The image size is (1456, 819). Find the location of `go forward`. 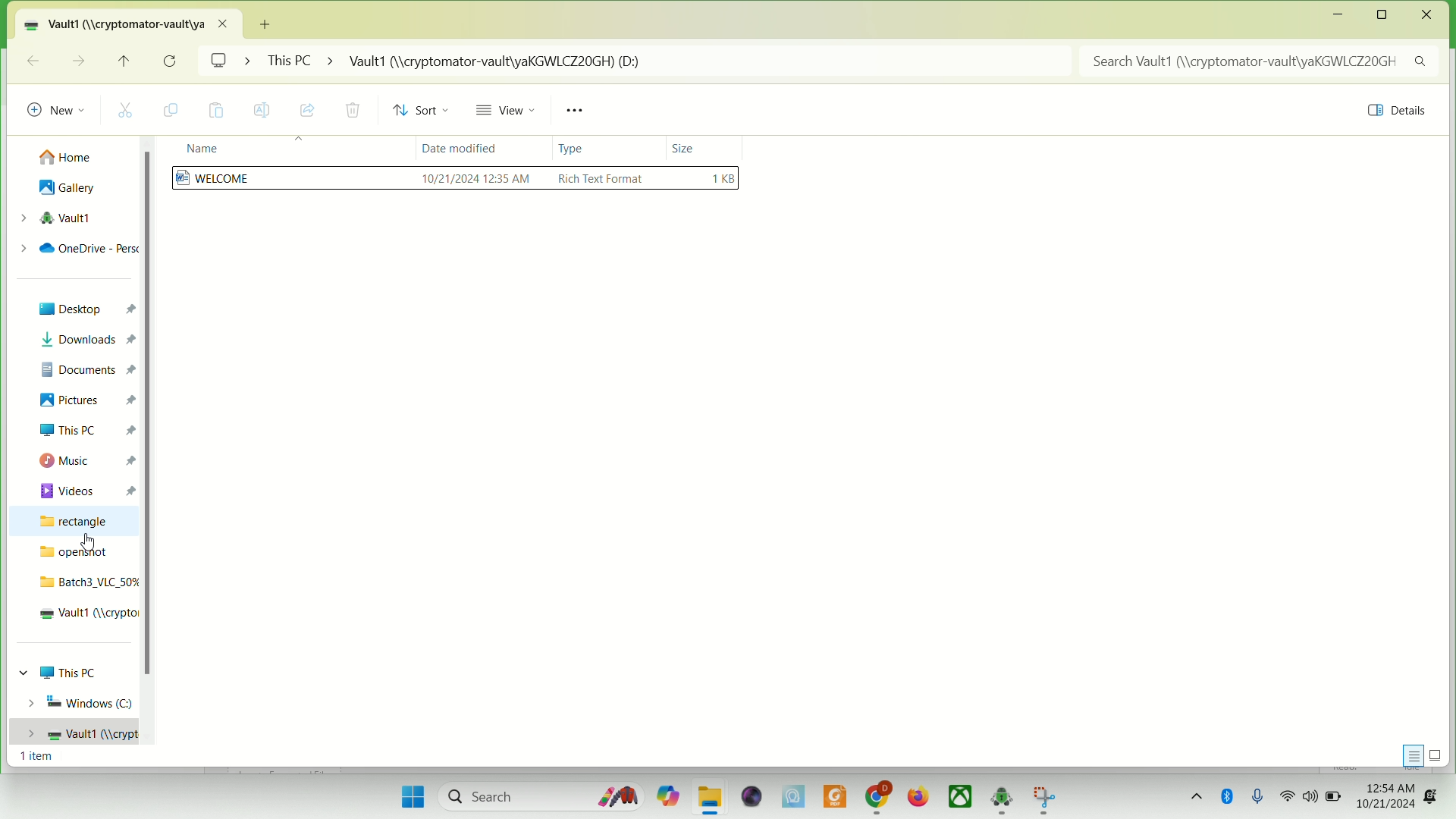

go forward is located at coordinates (77, 60).